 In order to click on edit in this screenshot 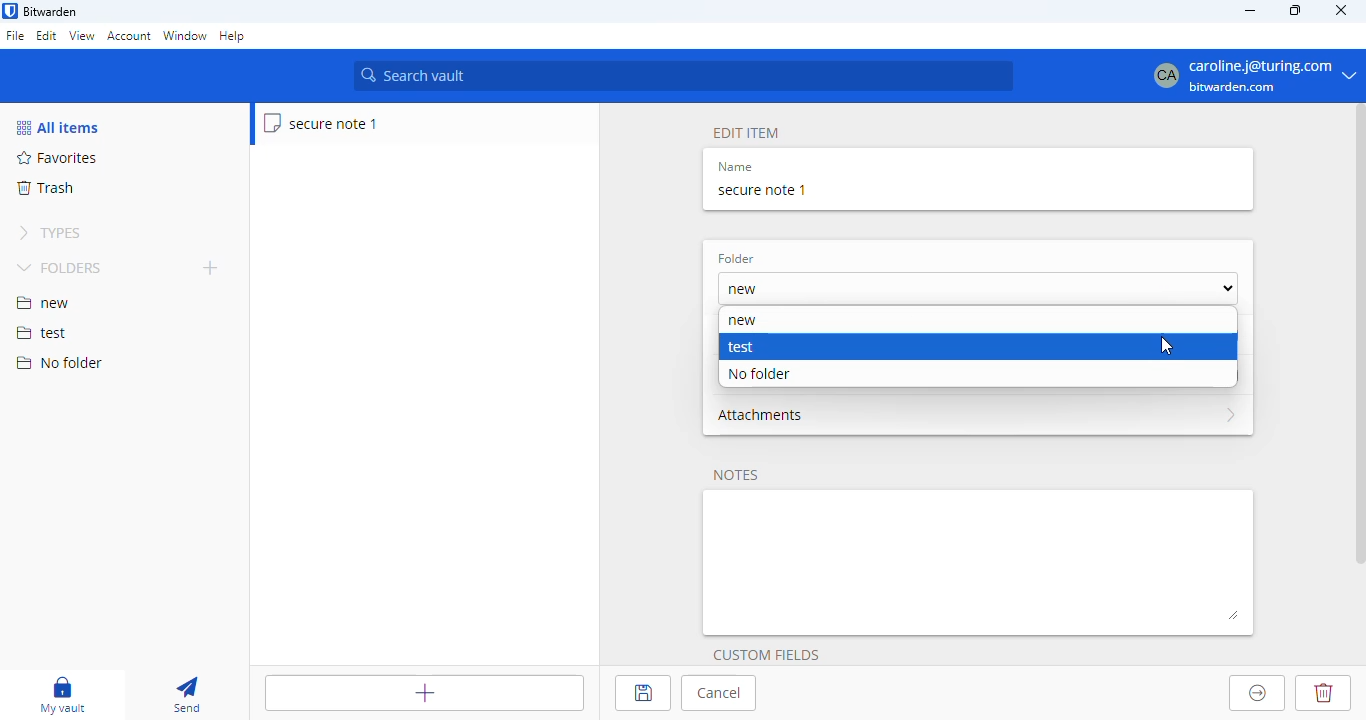, I will do `click(47, 35)`.